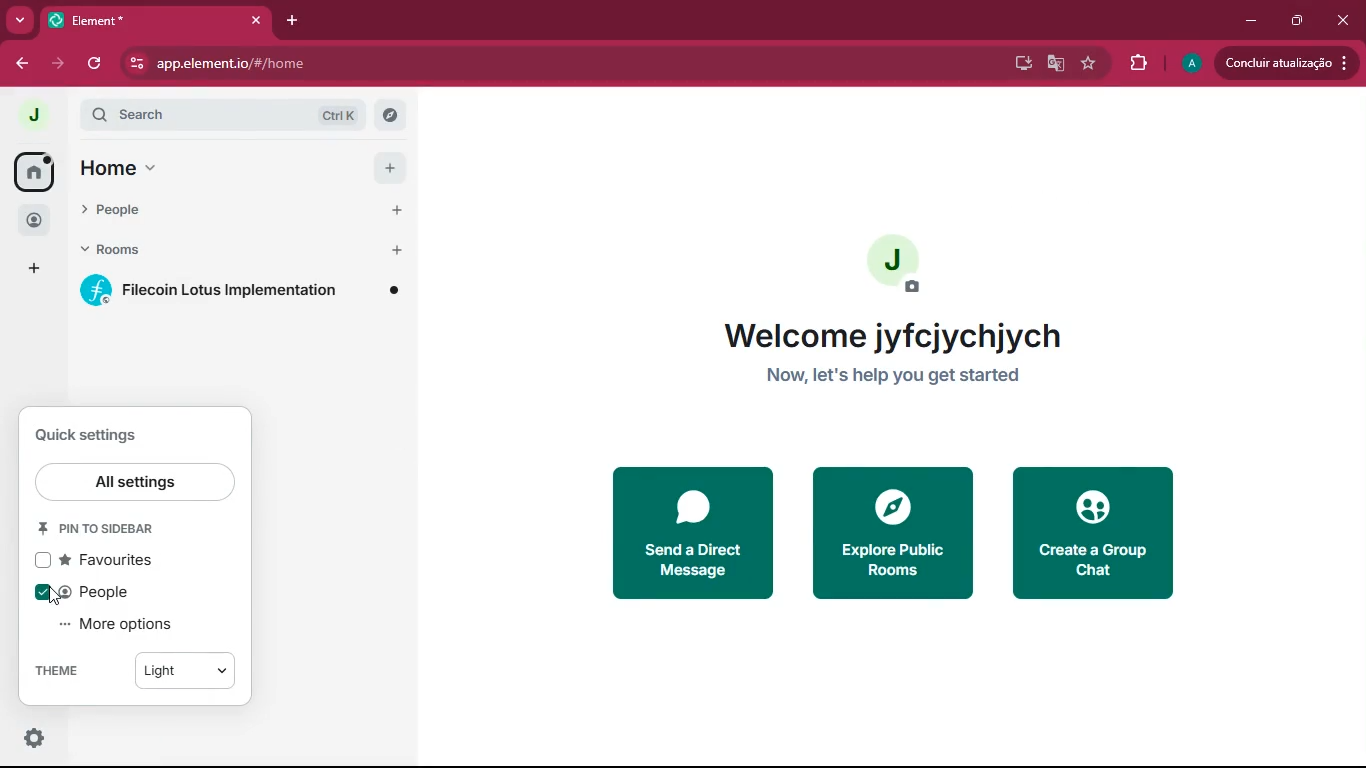 This screenshot has height=768, width=1366. I want to click on favourites, so click(107, 559).